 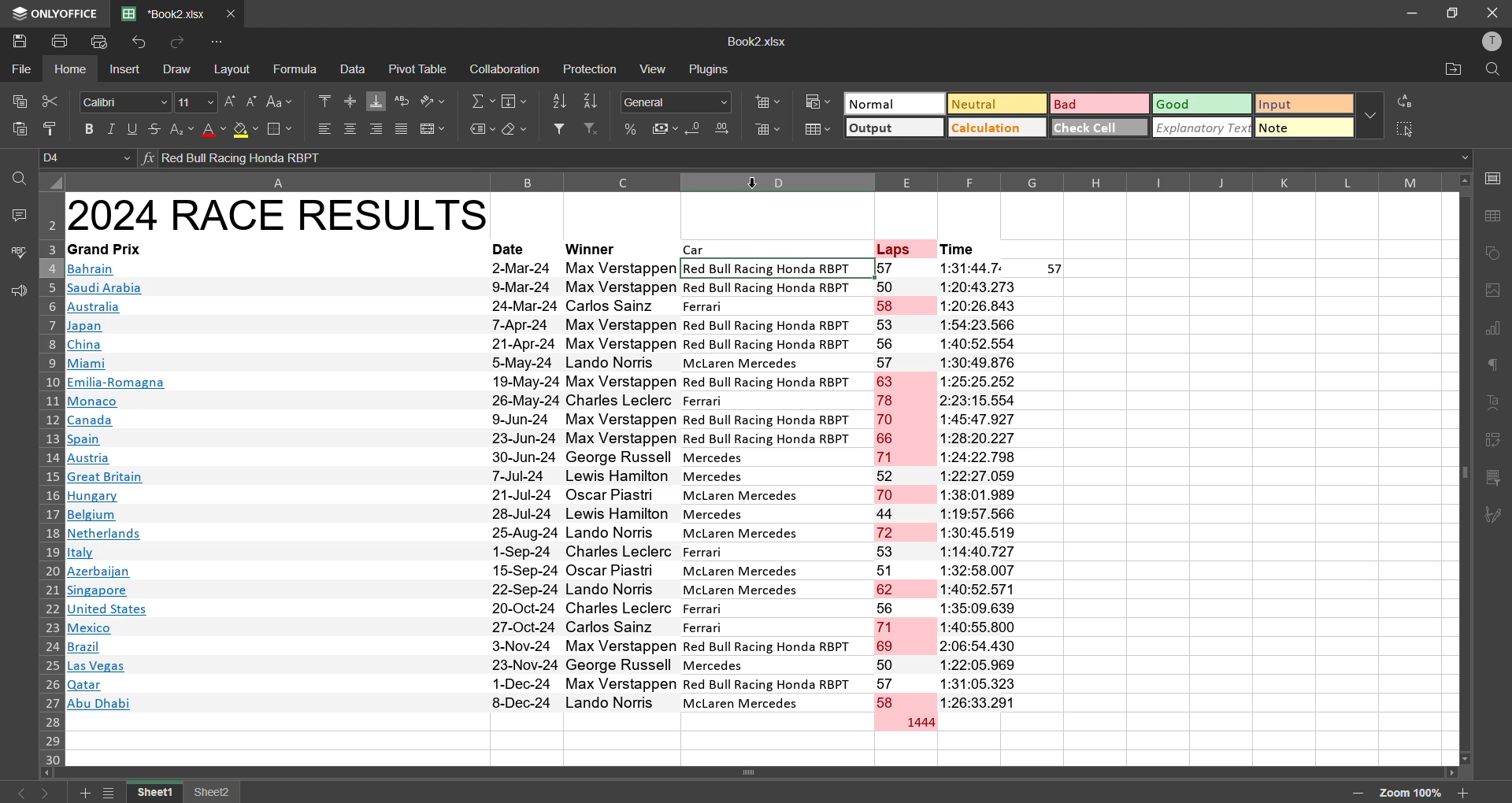 I want to click on Drop-down , so click(x=1467, y=158).